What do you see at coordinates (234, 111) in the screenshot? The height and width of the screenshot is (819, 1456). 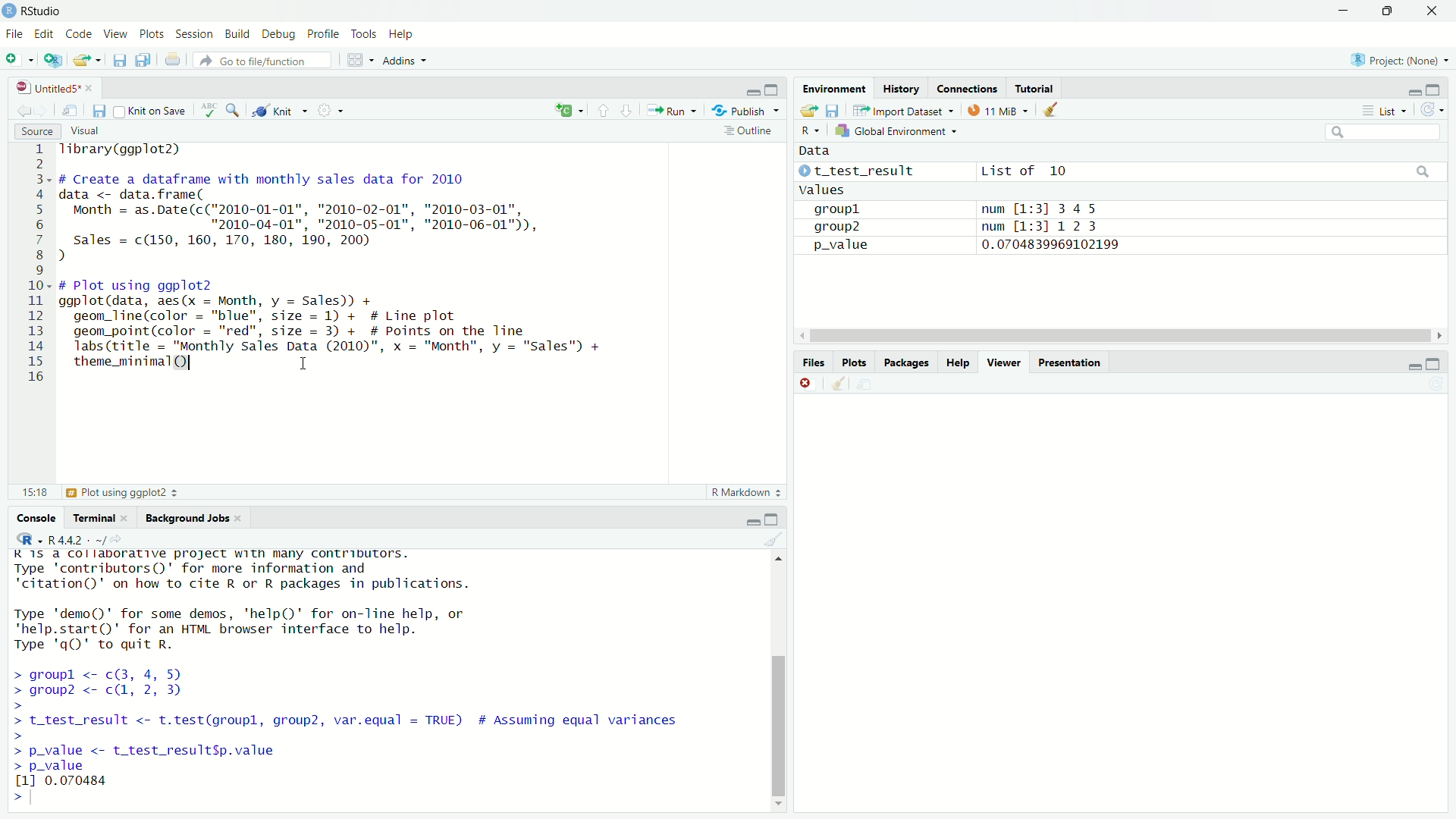 I see `search` at bounding box center [234, 111].